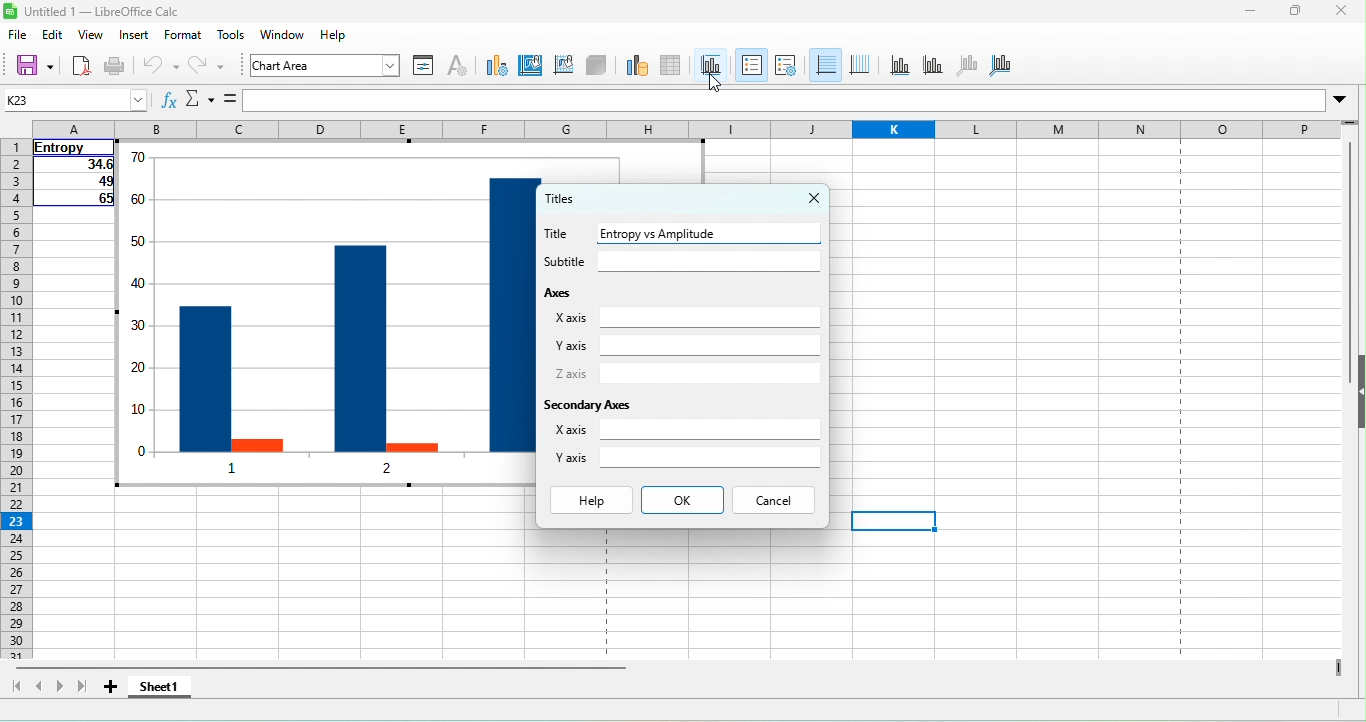  I want to click on vertical scroll bar, so click(1349, 266).